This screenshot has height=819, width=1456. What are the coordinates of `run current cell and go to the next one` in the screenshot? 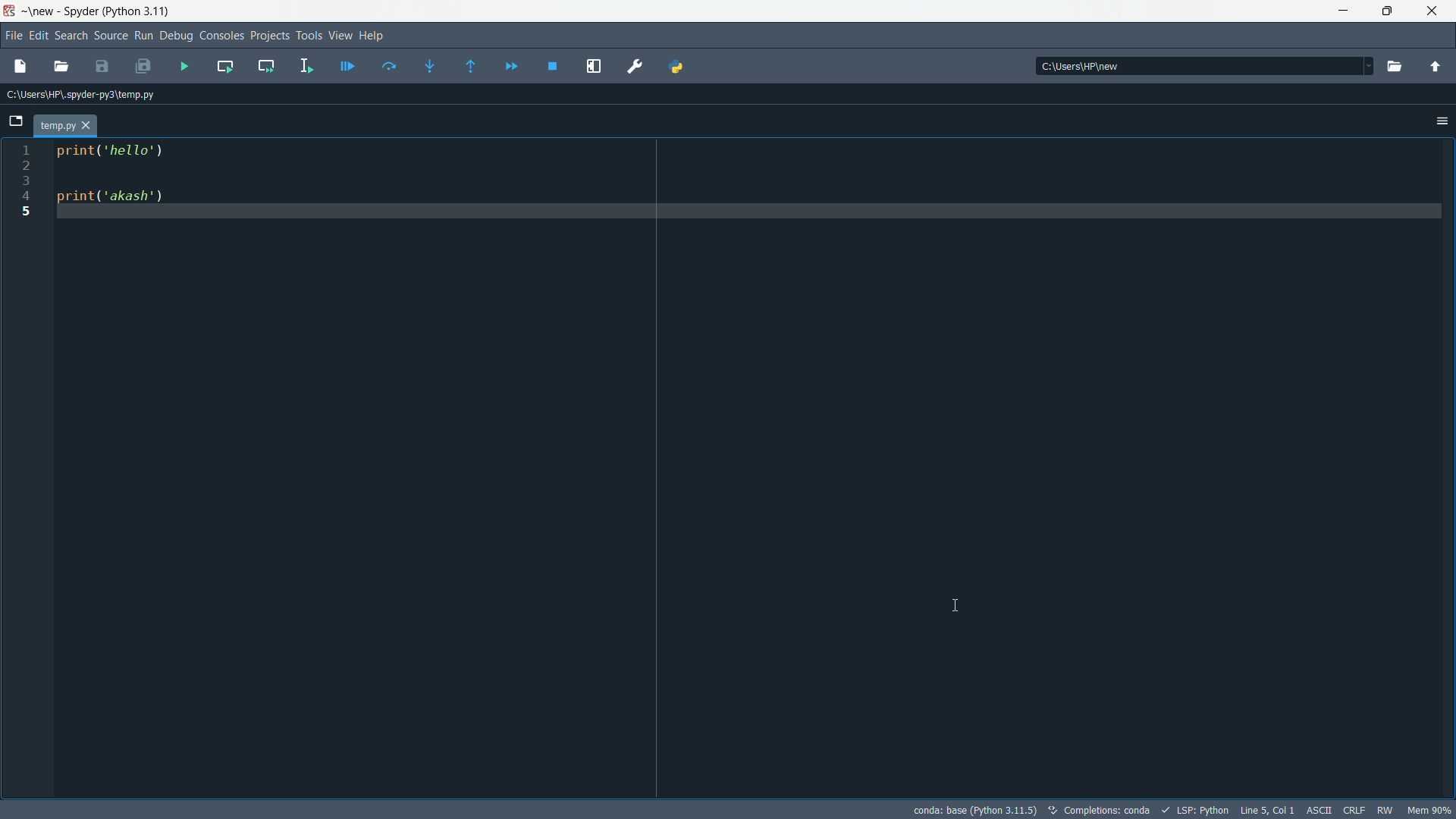 It's located at (267, 64).